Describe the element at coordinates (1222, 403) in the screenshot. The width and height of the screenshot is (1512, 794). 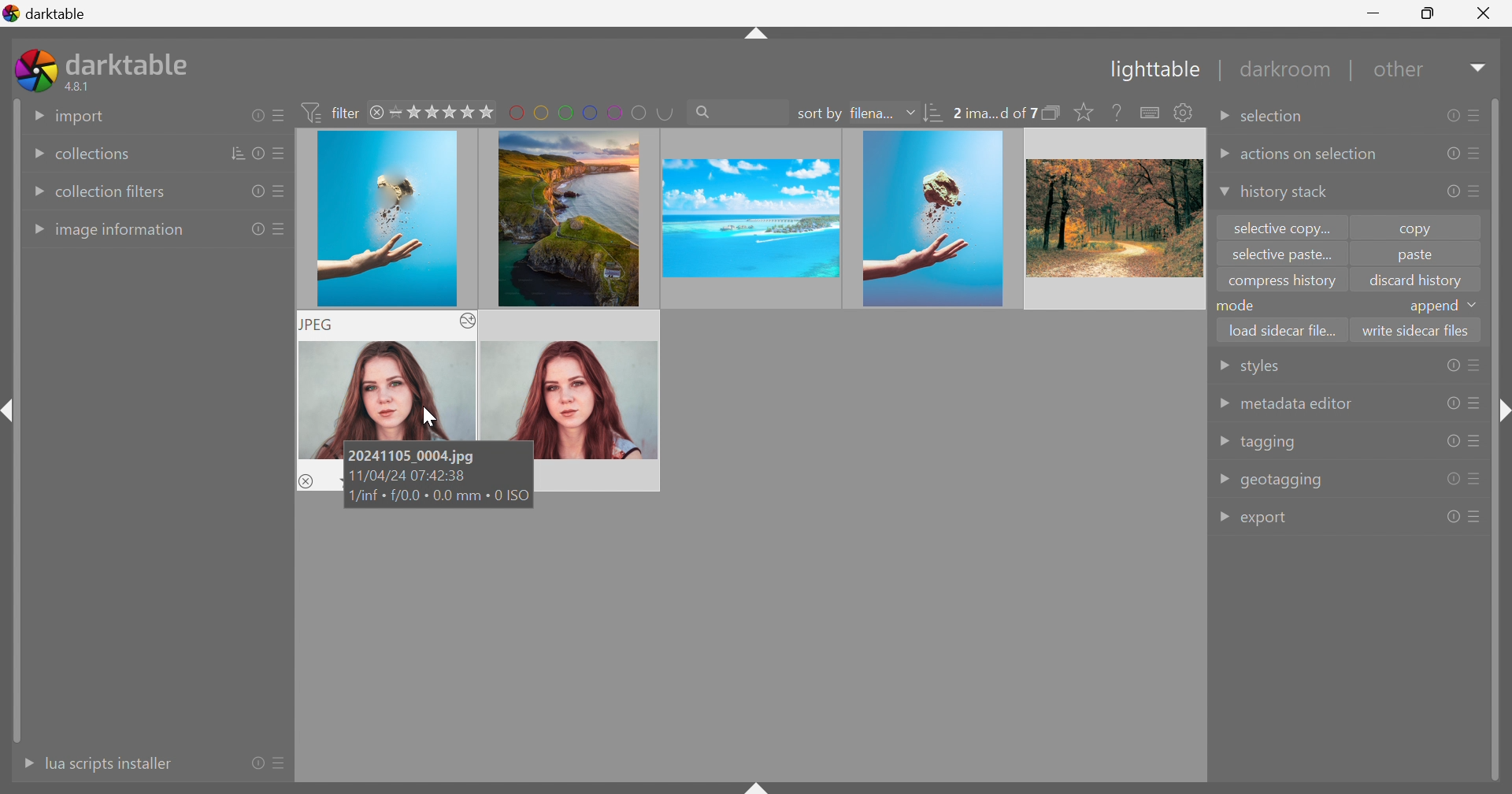
I see `Drop Down` at that location.